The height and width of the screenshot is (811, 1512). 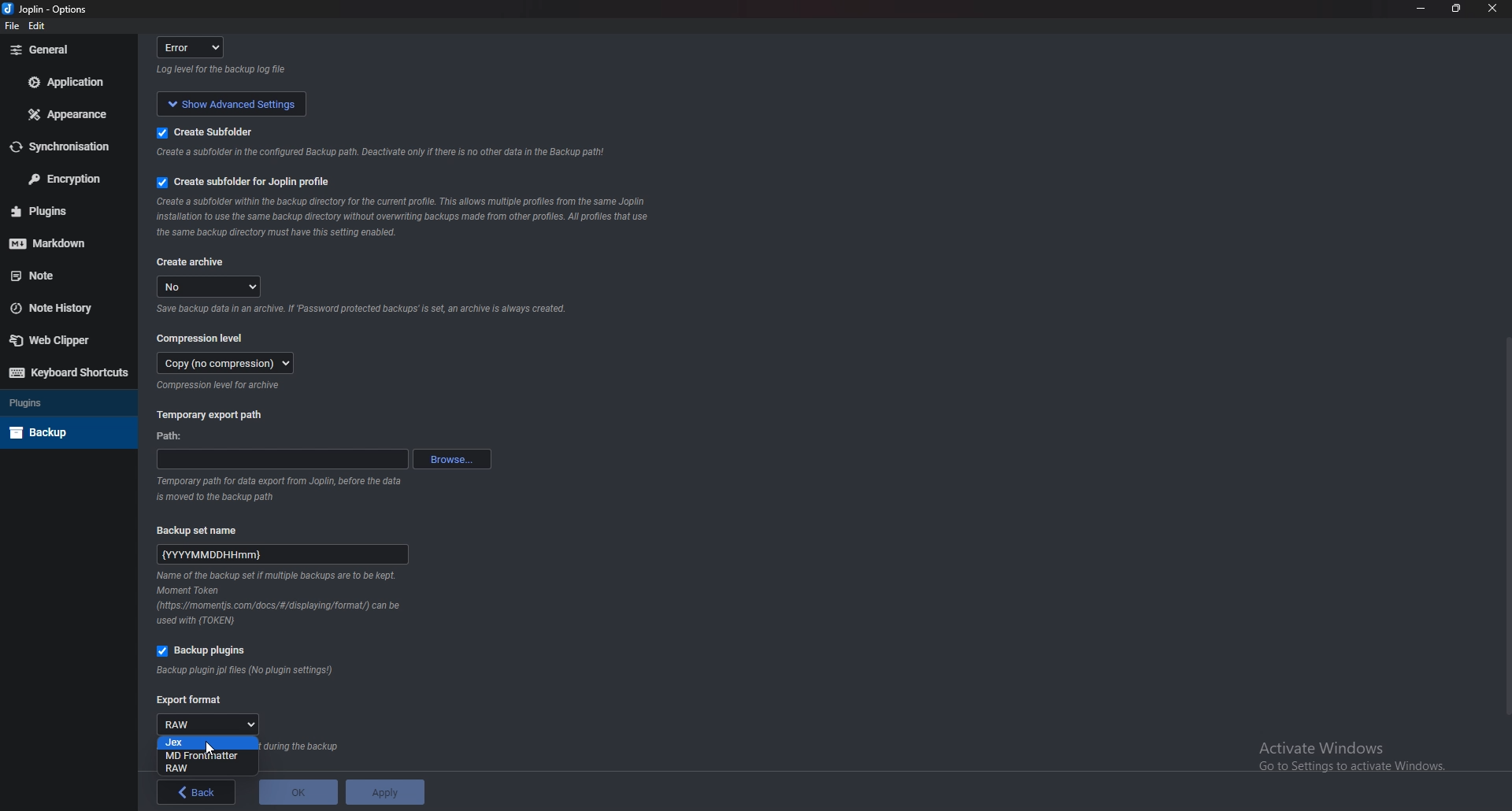 I want to click on raw, so click(x=211, y=724).